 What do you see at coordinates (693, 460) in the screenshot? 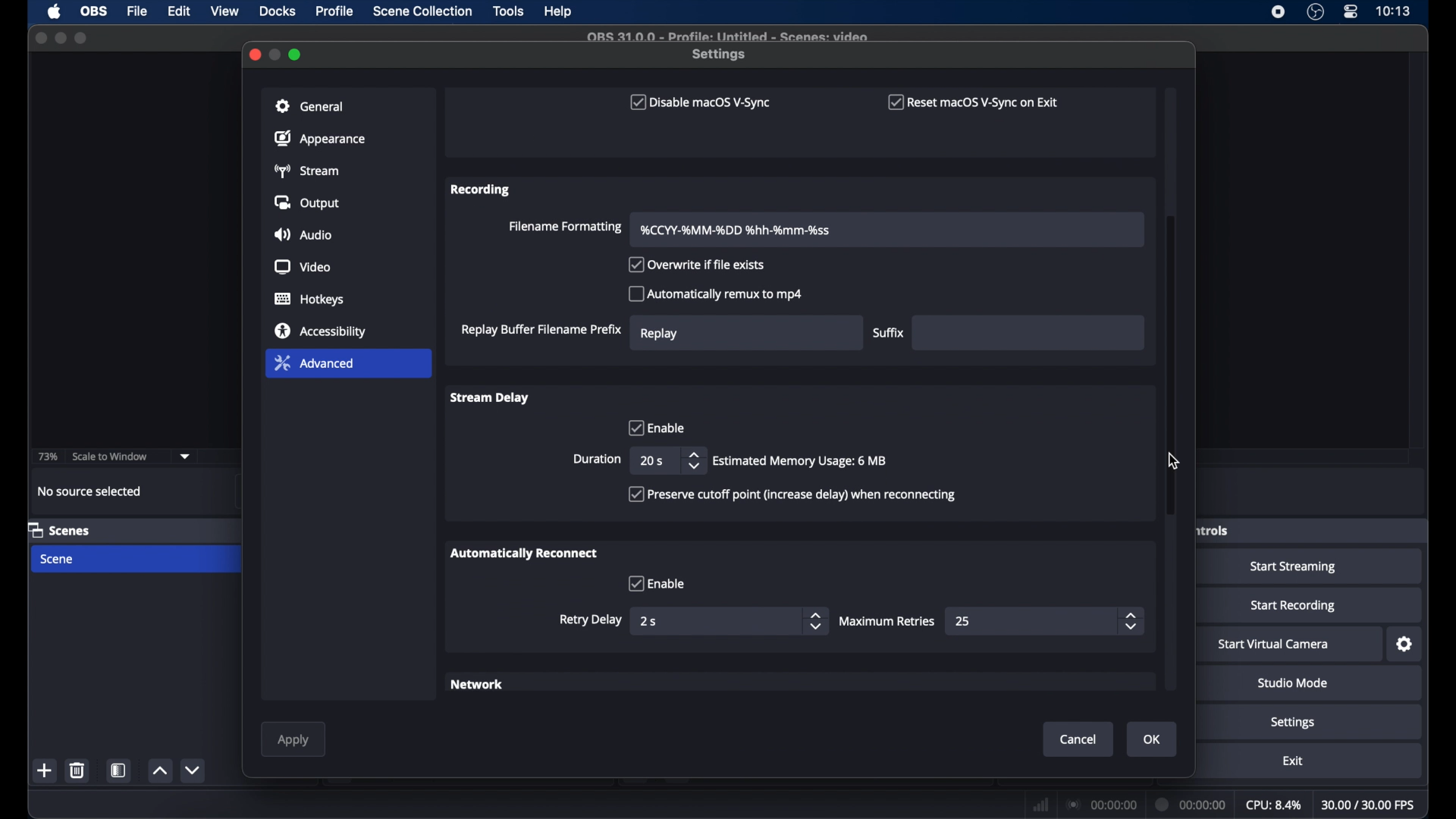
I see `stepper buttons` at bounding box center [693, 460].